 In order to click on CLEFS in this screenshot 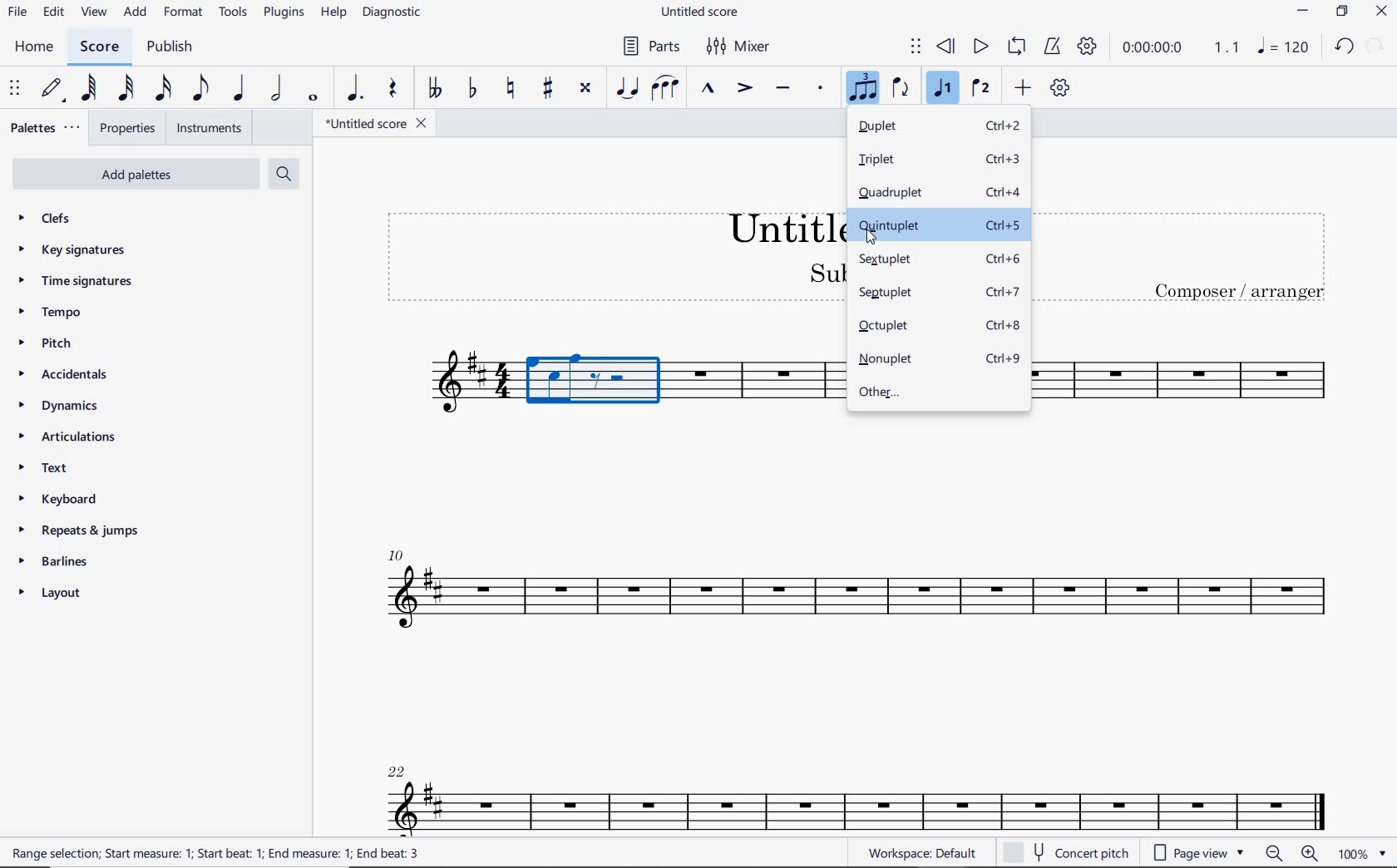, I will do `click(58, 220)`.